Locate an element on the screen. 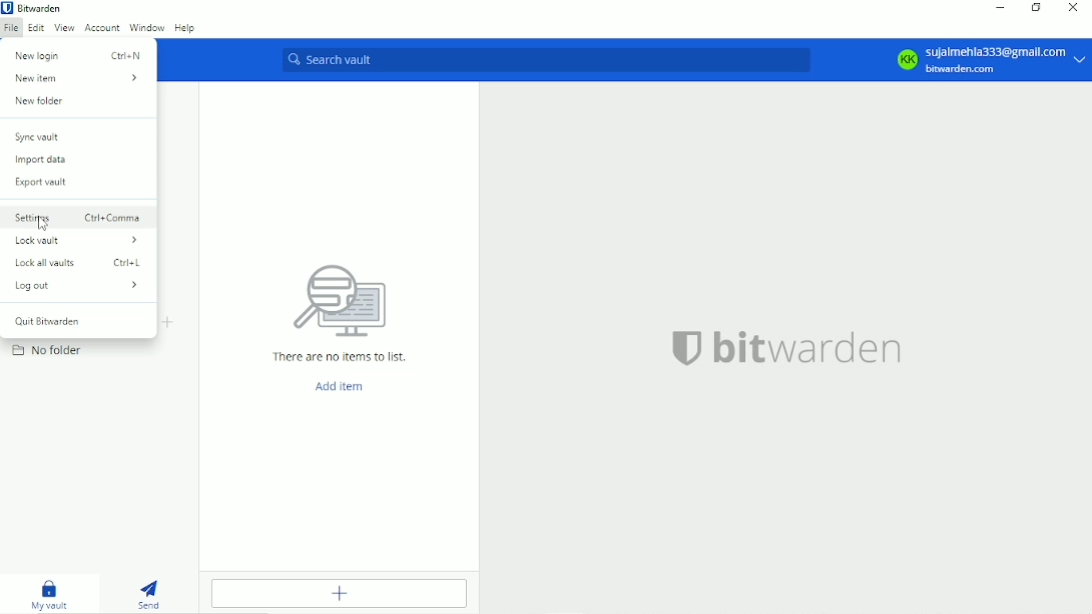 The height and width of the screenshot is (614, 1092). Add item is located at coordinates (339, 594).